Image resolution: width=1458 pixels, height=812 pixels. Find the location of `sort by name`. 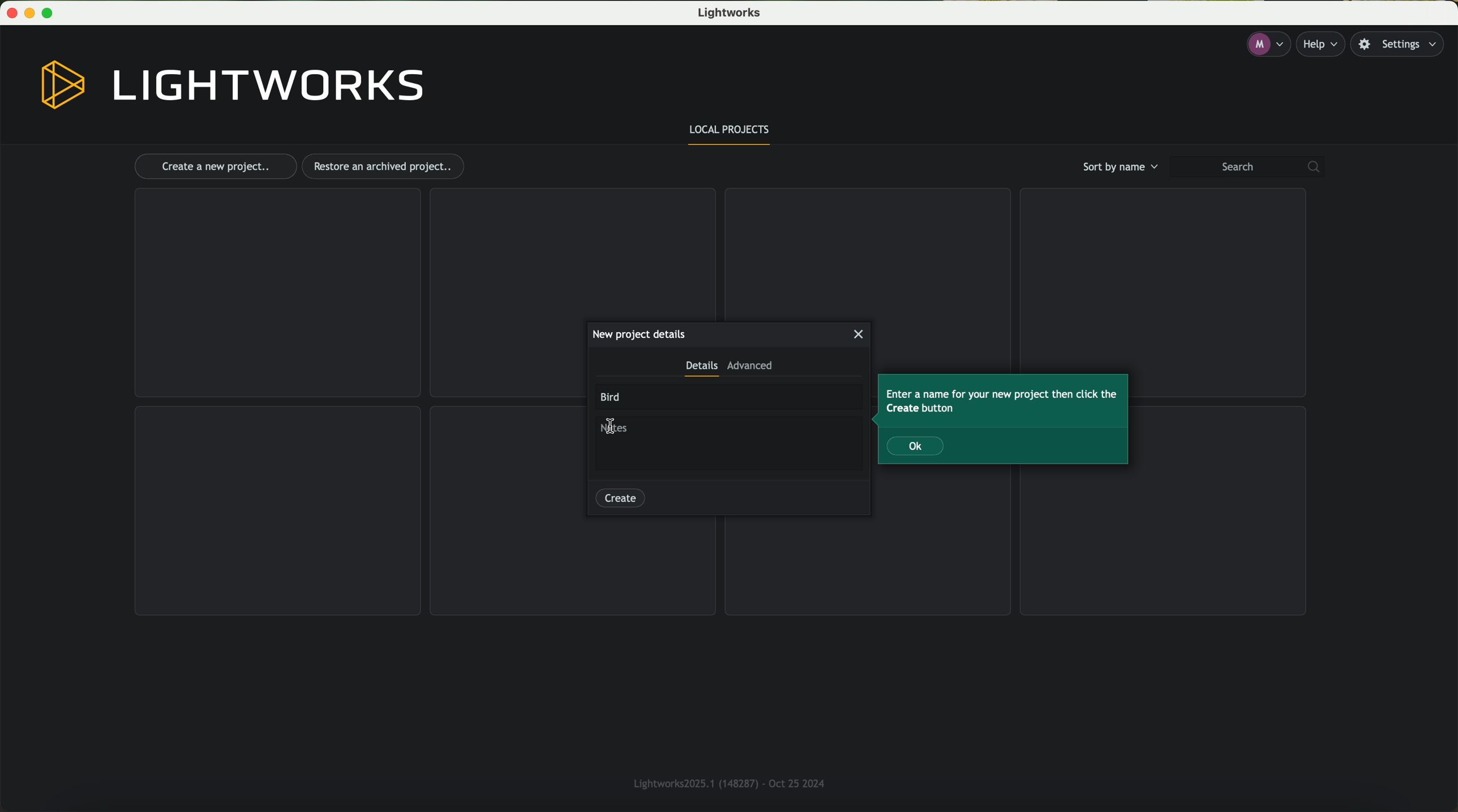

sort by name is located at coordinates (1118, 166).